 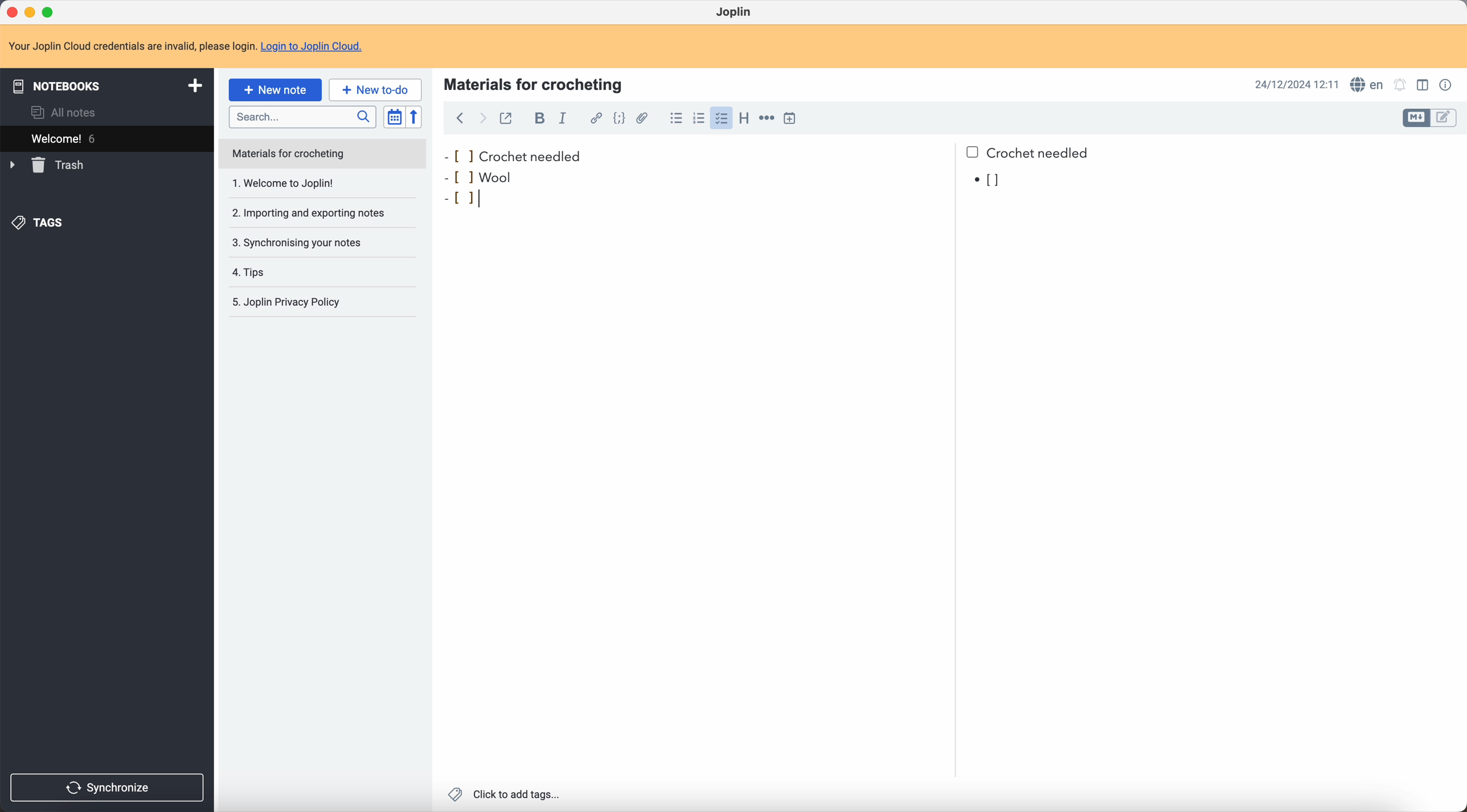 What do you see at coordinates (1447, 85) in the screenshot?
I see `note properties` at bounding box center [1447, 85].